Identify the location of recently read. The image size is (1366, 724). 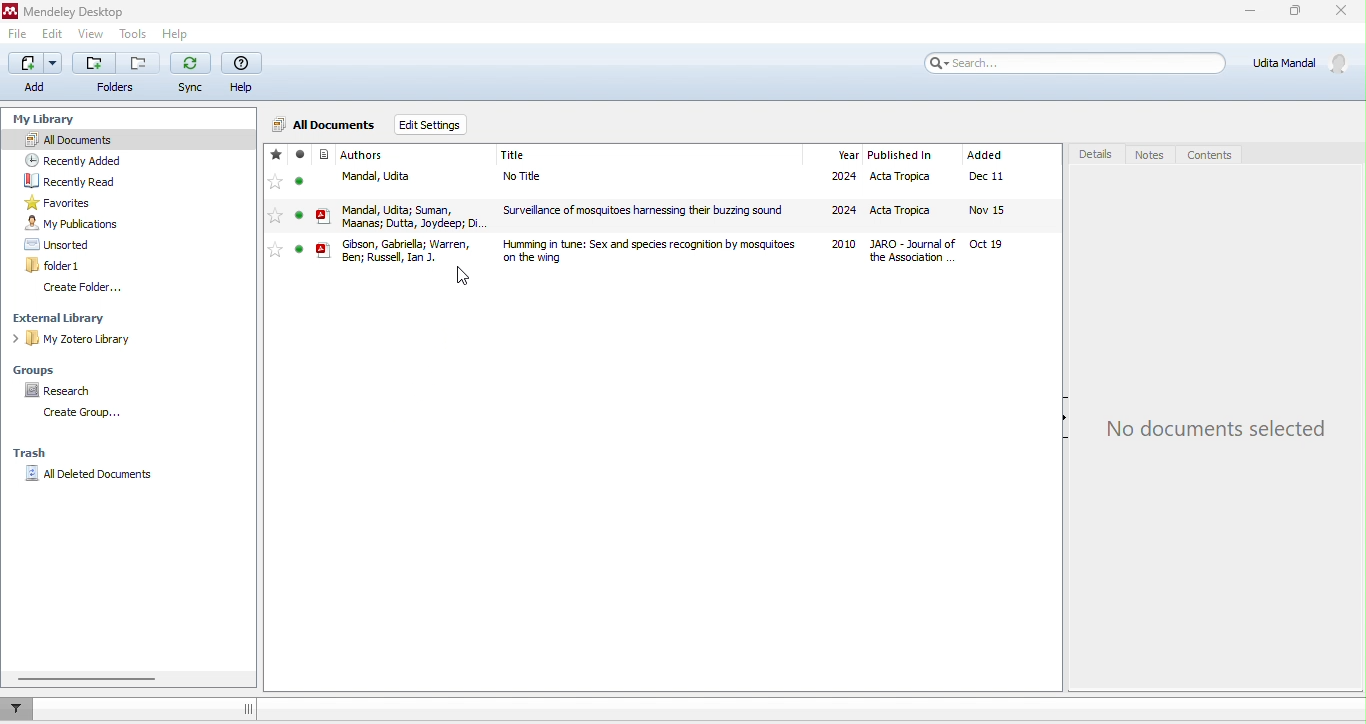
(73, 181).